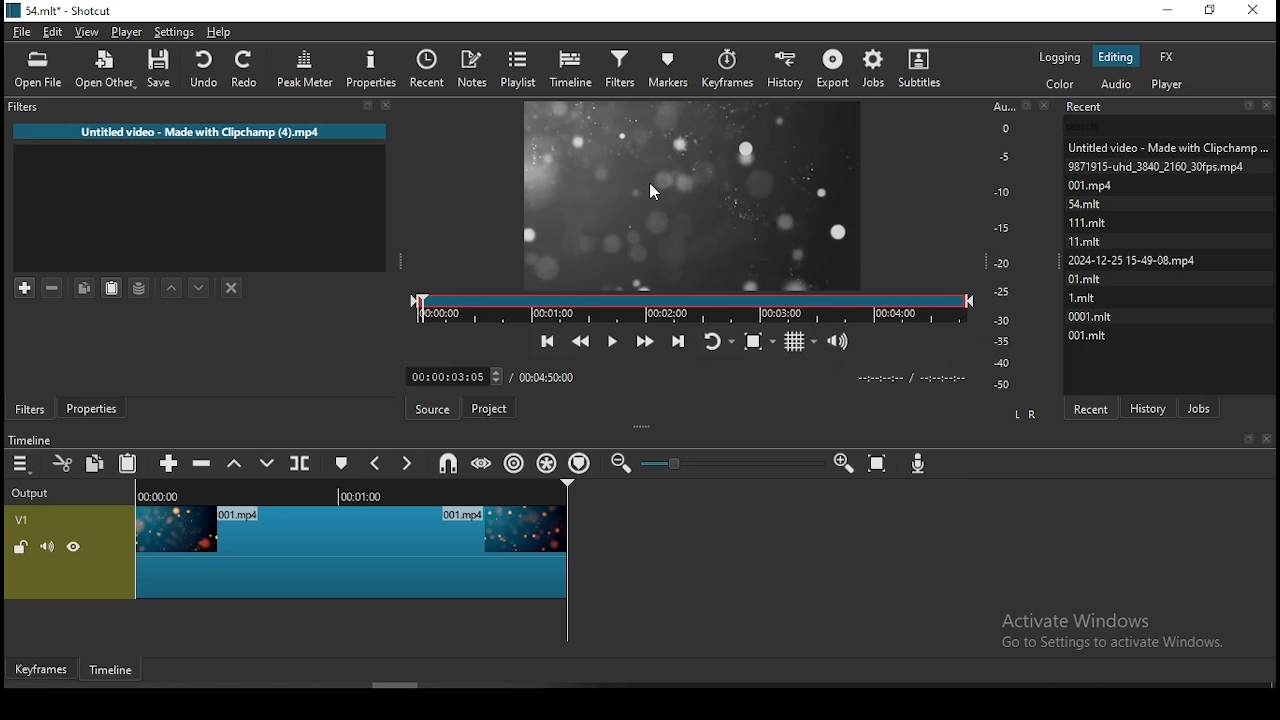  I want to click on save filter set, so click(140, 288).